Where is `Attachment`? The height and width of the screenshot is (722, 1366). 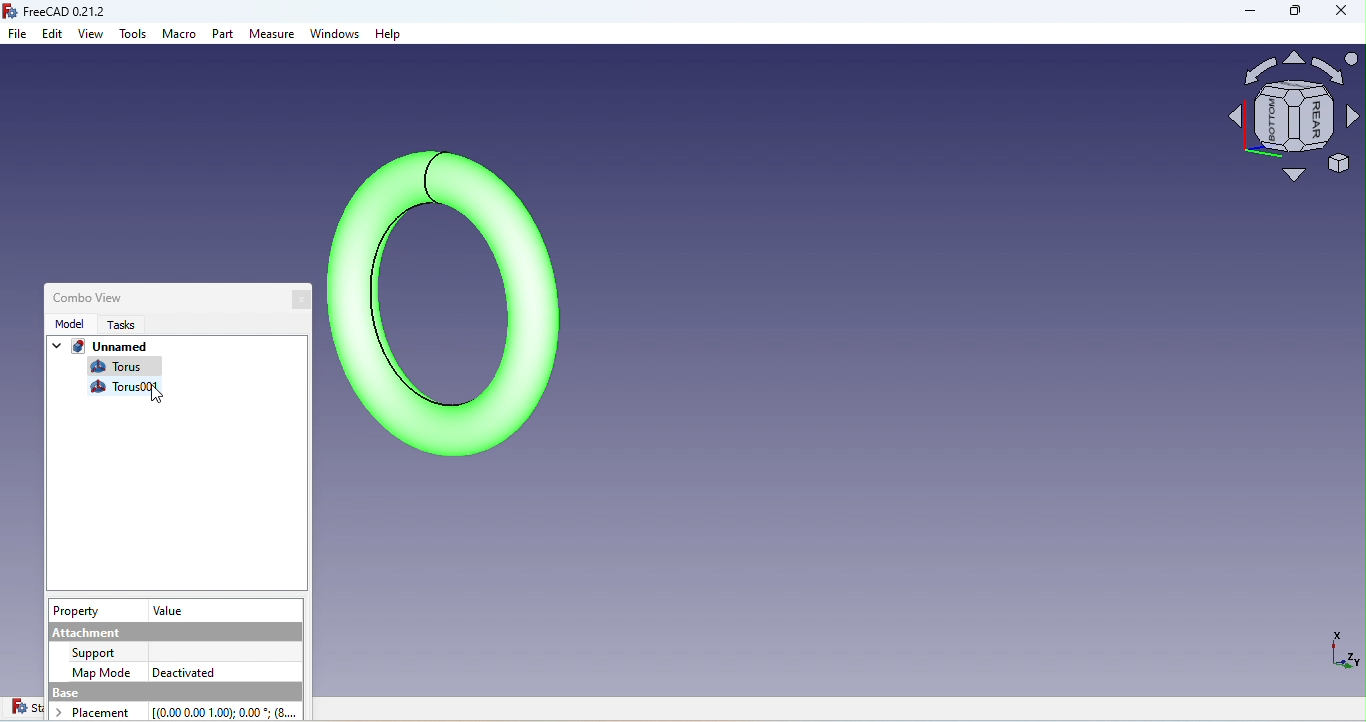 Attachment is located at coordinates (174, 630).